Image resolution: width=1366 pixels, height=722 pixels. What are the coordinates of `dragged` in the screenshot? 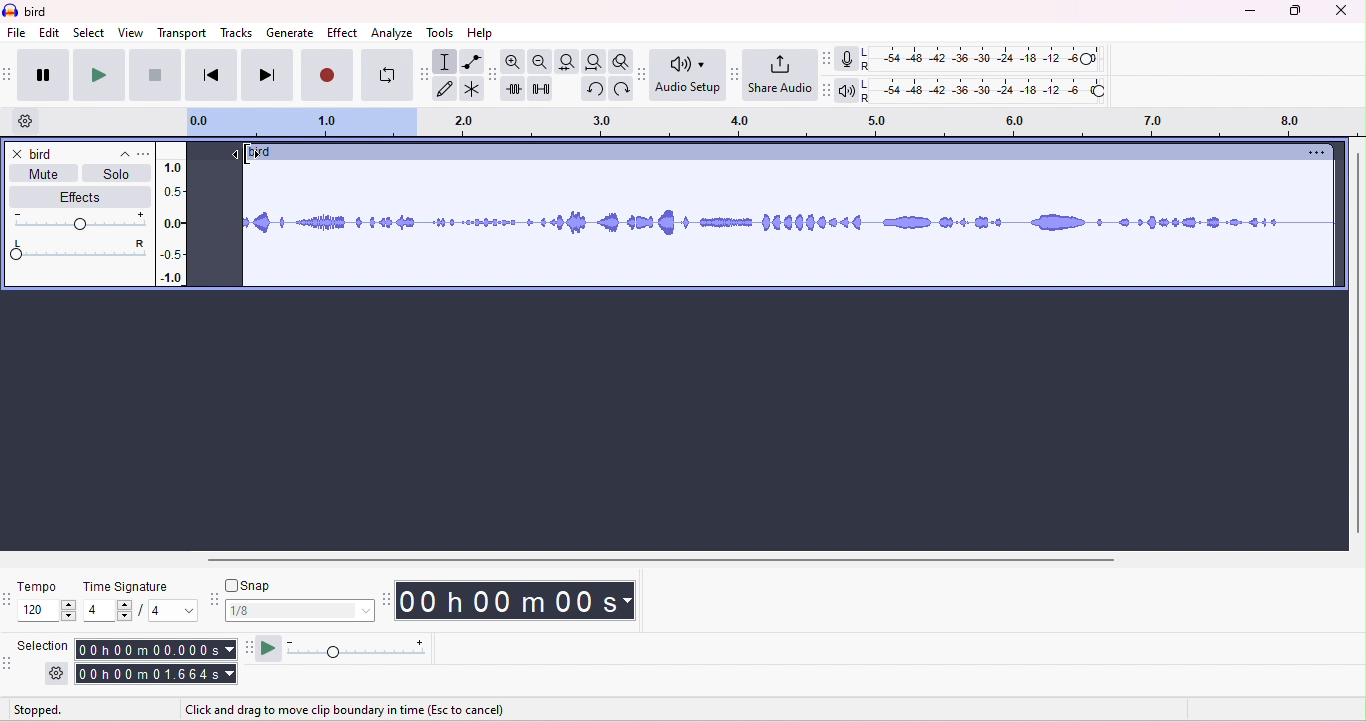 It's located at (218, 222).